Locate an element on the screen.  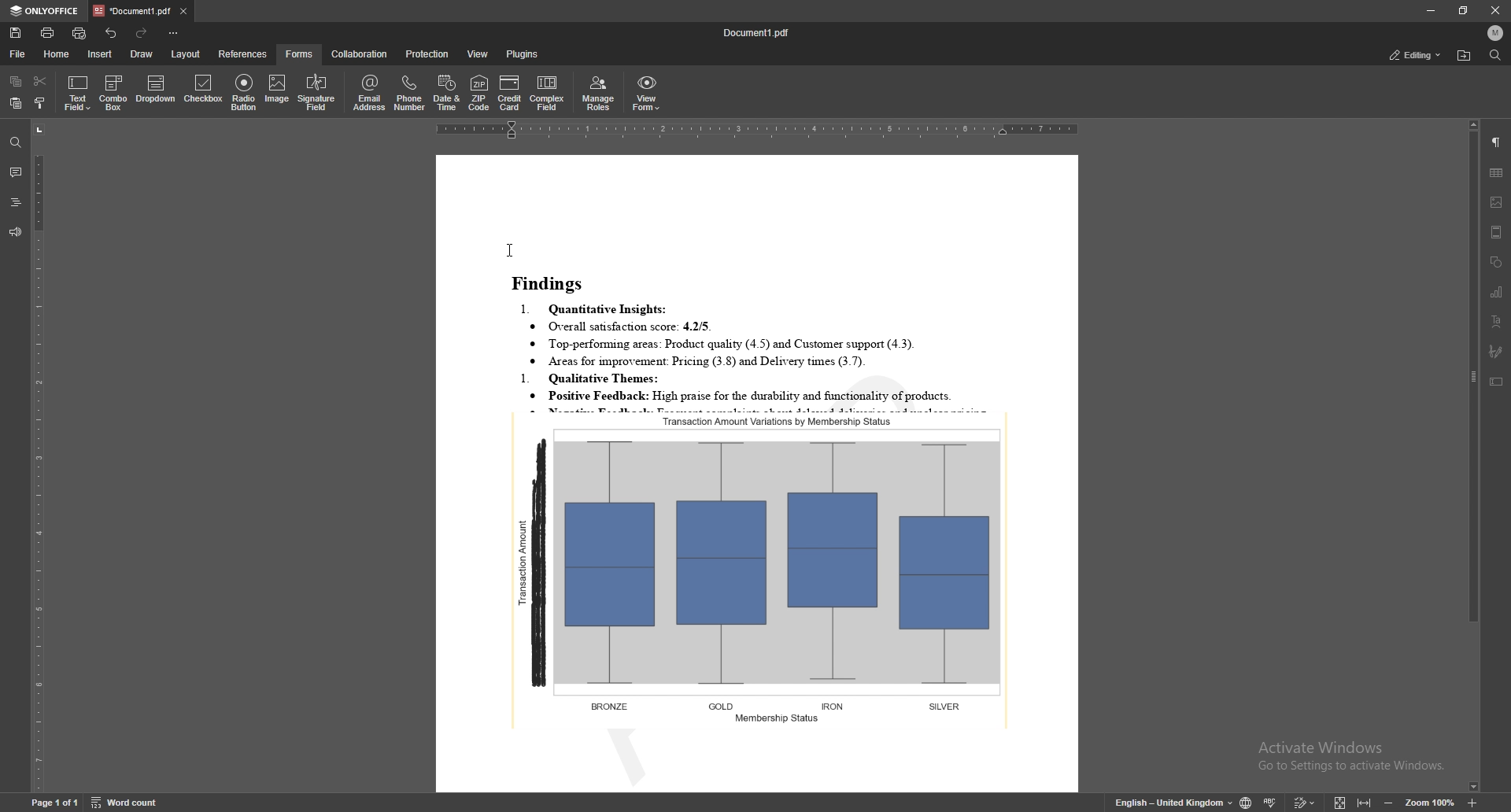
text field is located at coordinates (79, 92).